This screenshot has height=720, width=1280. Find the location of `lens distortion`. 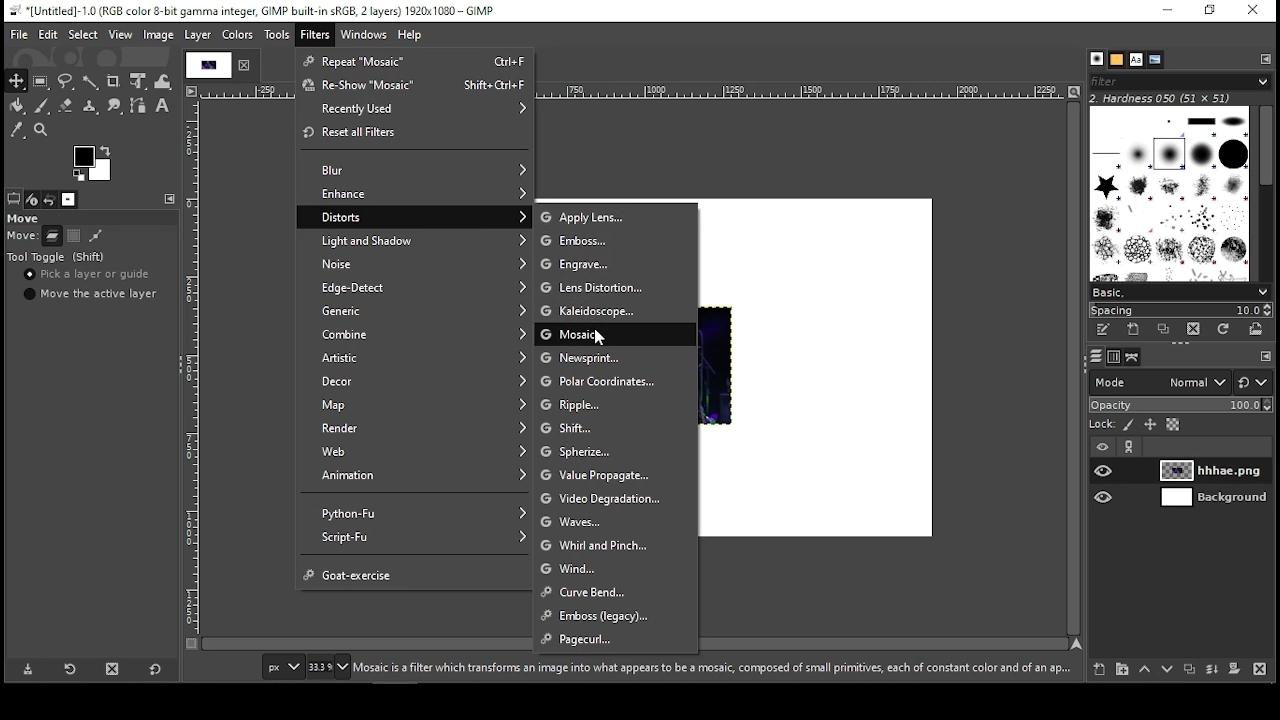

lens distortion is located at coordinates (617, 289).